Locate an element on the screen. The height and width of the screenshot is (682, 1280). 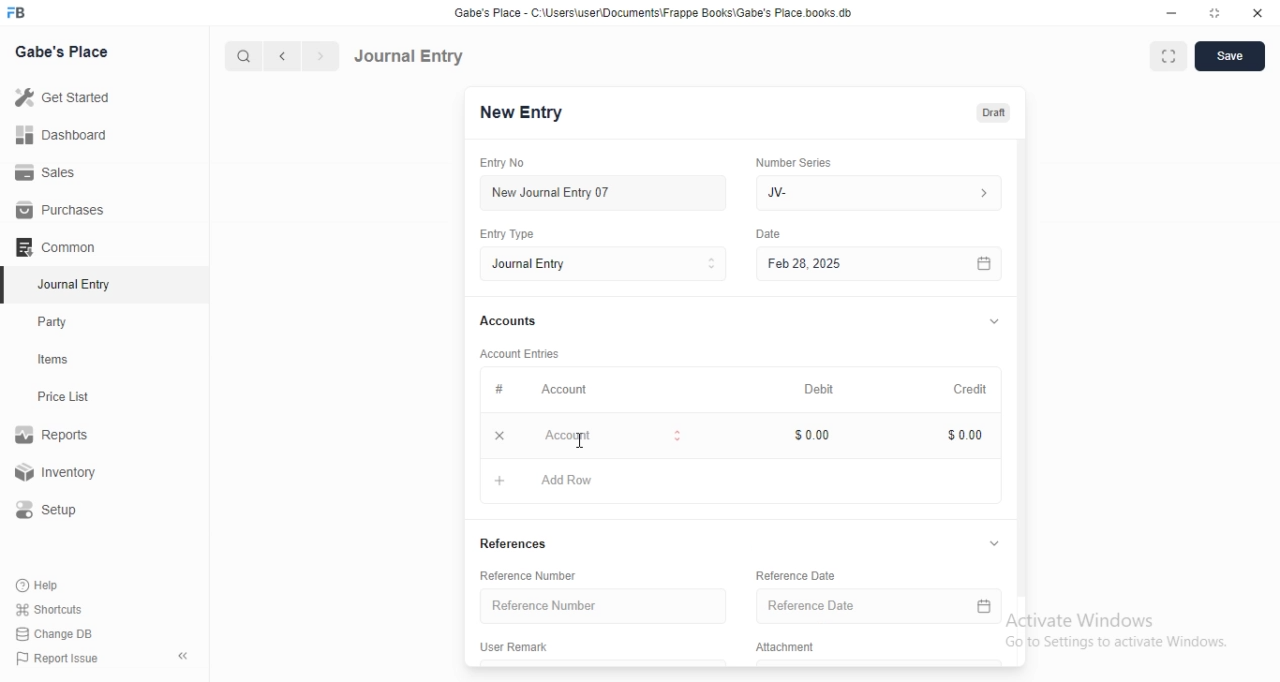
v is located at coordinates (994, 318).